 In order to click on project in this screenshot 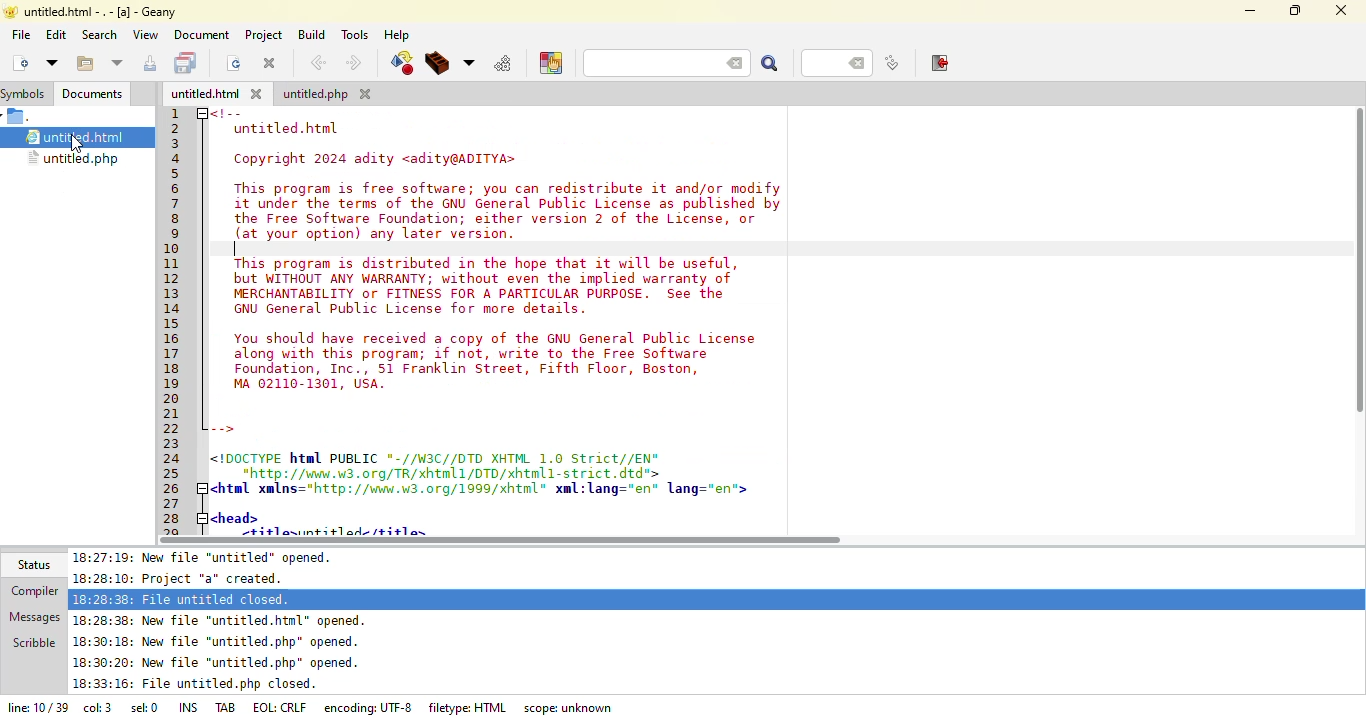, I will do `click(264, 35)`.